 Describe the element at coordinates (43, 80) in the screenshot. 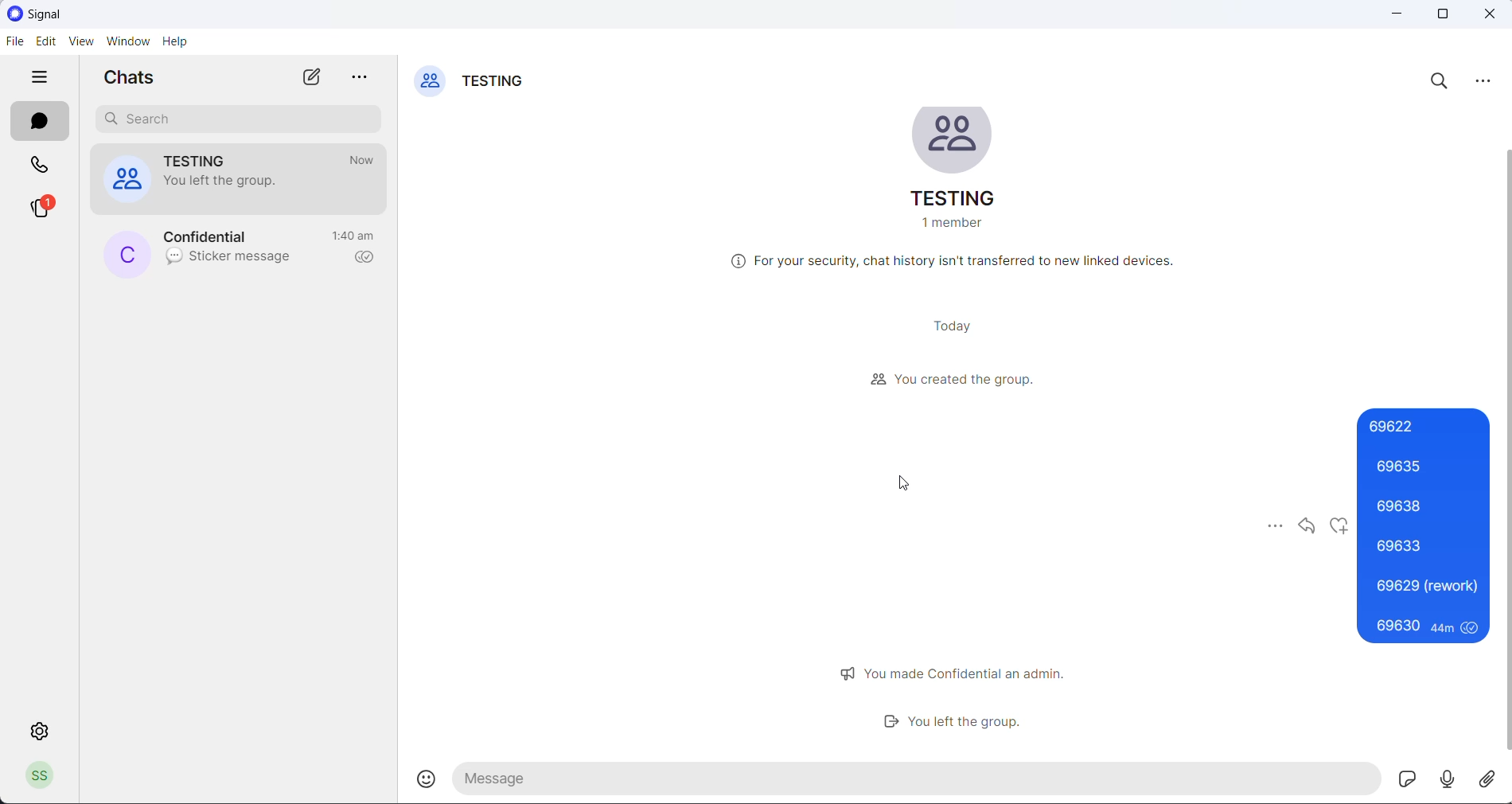

I see `hide tabs` at that location.